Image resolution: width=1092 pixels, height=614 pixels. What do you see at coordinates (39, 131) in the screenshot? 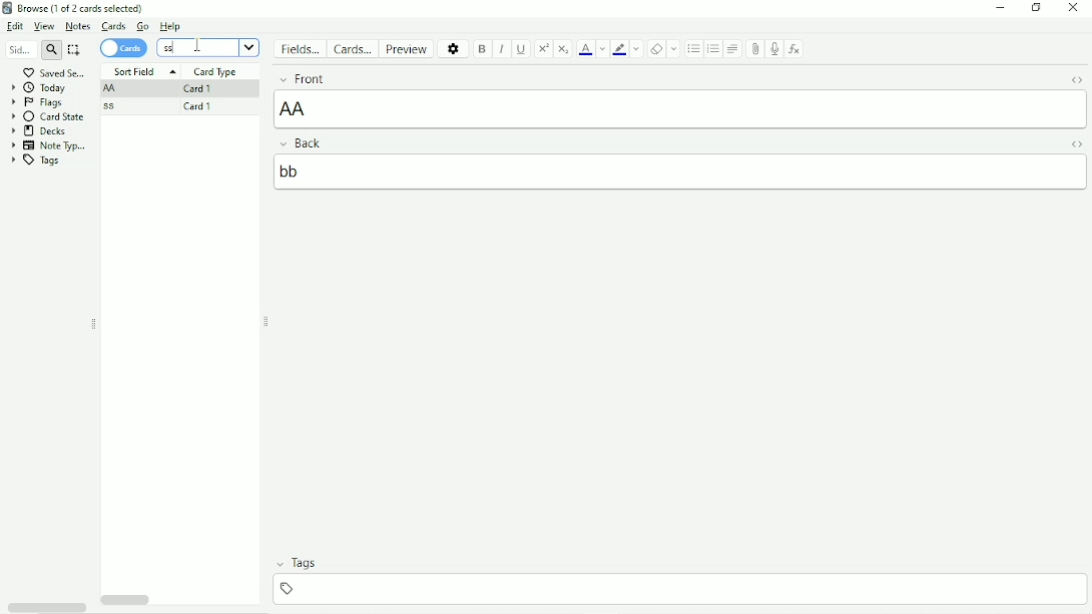
I see `Decks` at bounding box center [39, 131].